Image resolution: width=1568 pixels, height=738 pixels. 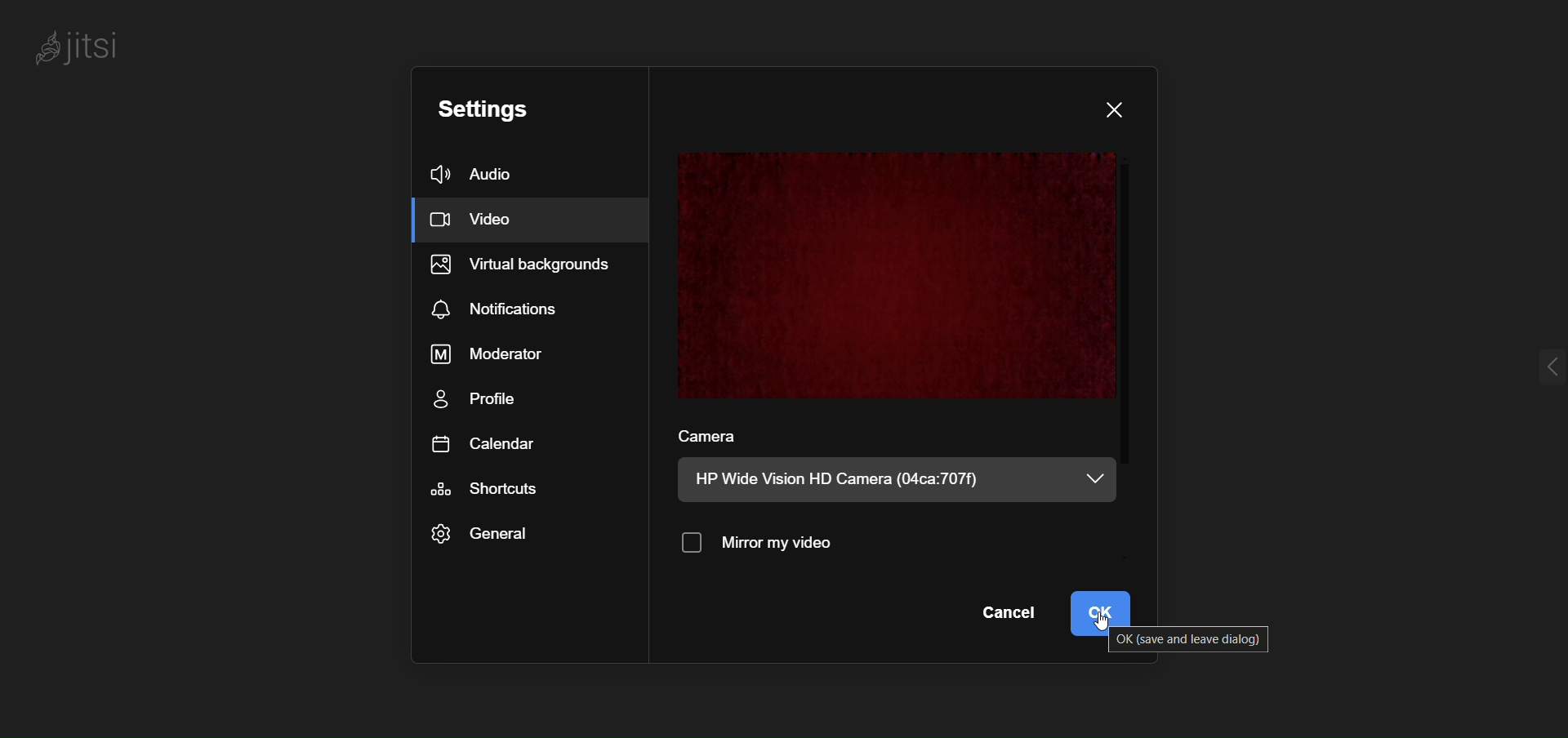 I want to click on shortcut, so click(x=494, y=489).